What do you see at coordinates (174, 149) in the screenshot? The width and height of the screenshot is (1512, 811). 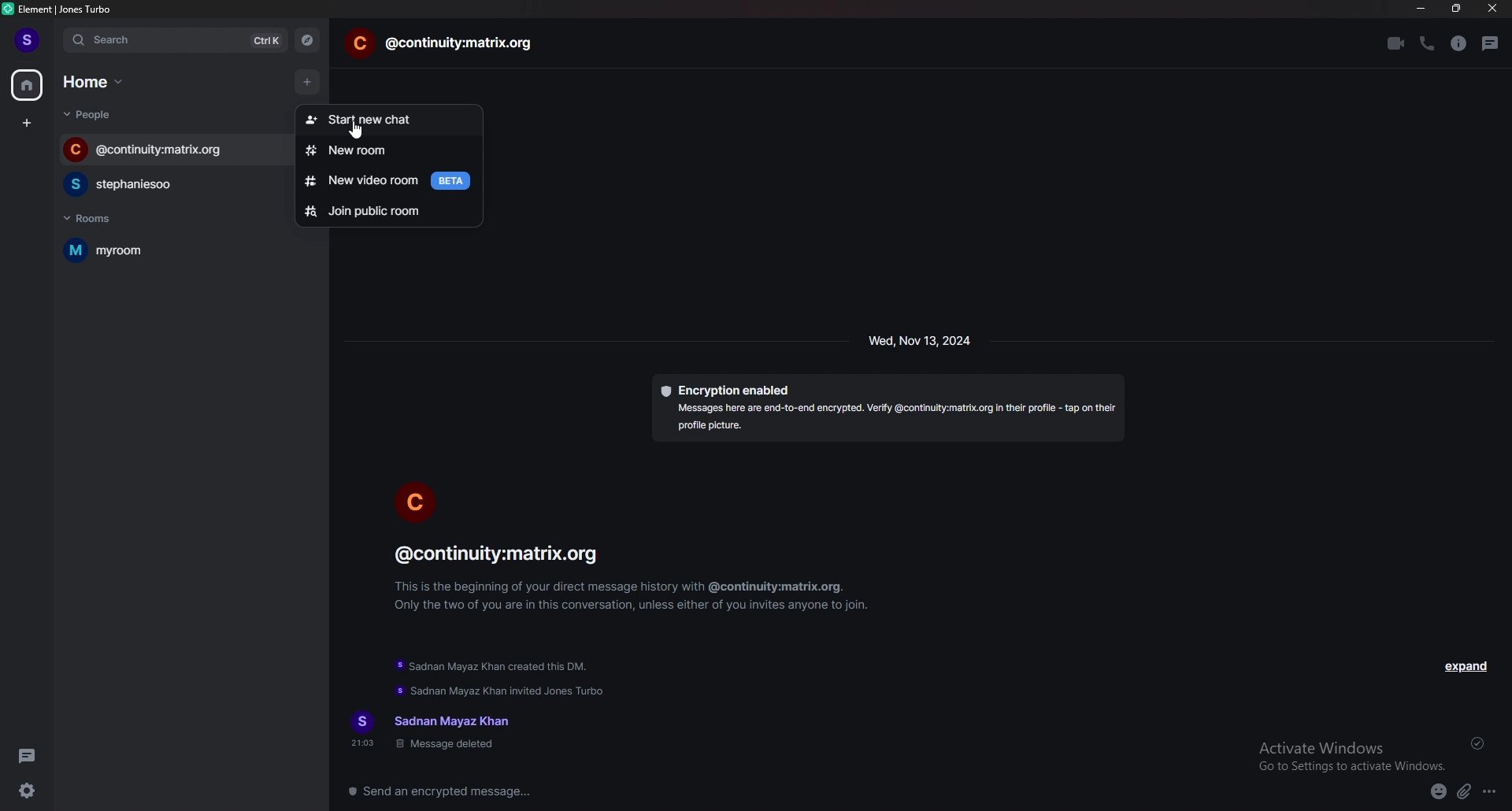 I see `chat` at bounding box center [174, 149].